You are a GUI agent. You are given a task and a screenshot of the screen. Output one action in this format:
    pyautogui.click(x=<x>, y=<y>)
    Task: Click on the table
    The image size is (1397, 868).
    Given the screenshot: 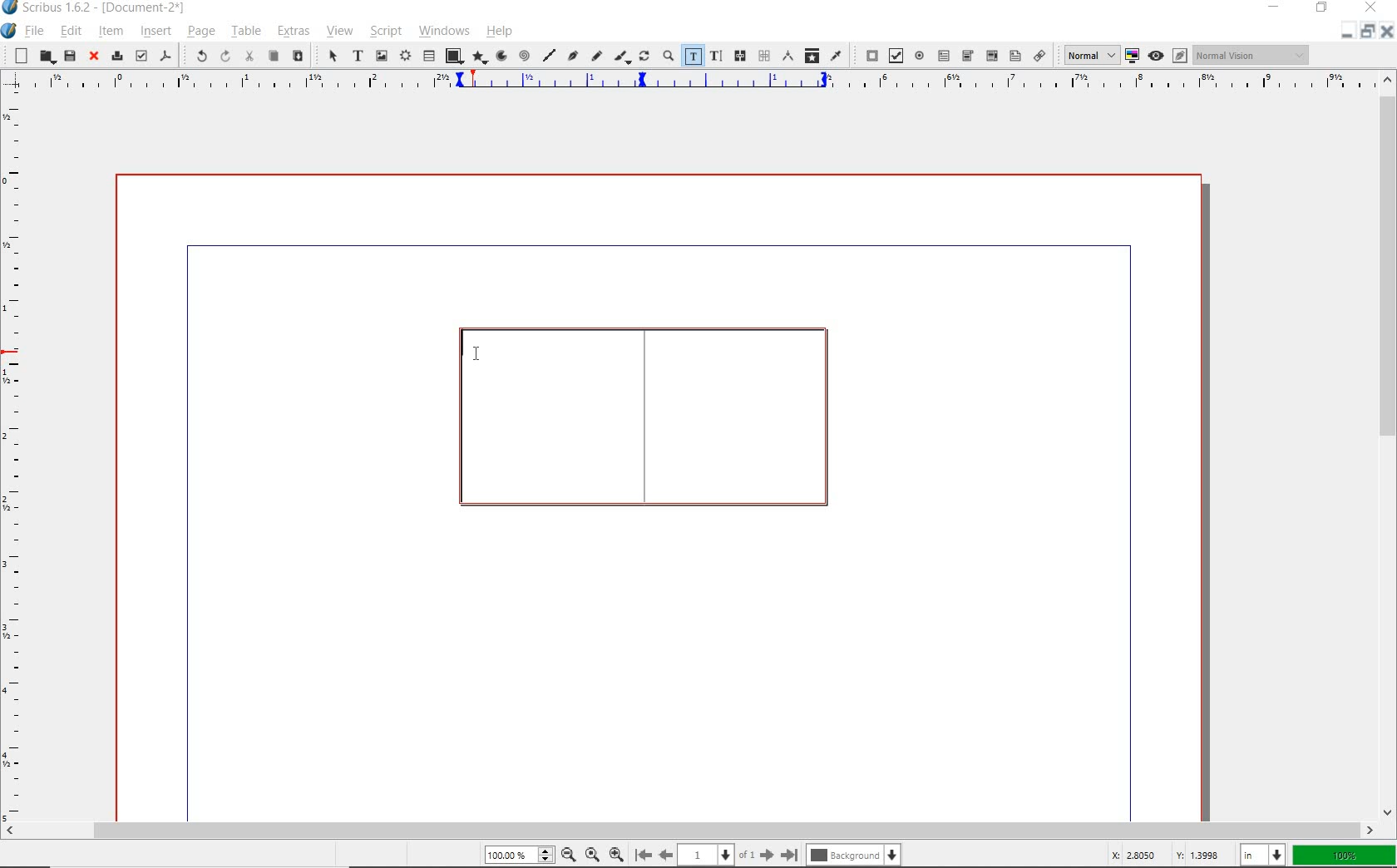 What is the action you would take?
    pyautogui.click(x=244, y=32)
    